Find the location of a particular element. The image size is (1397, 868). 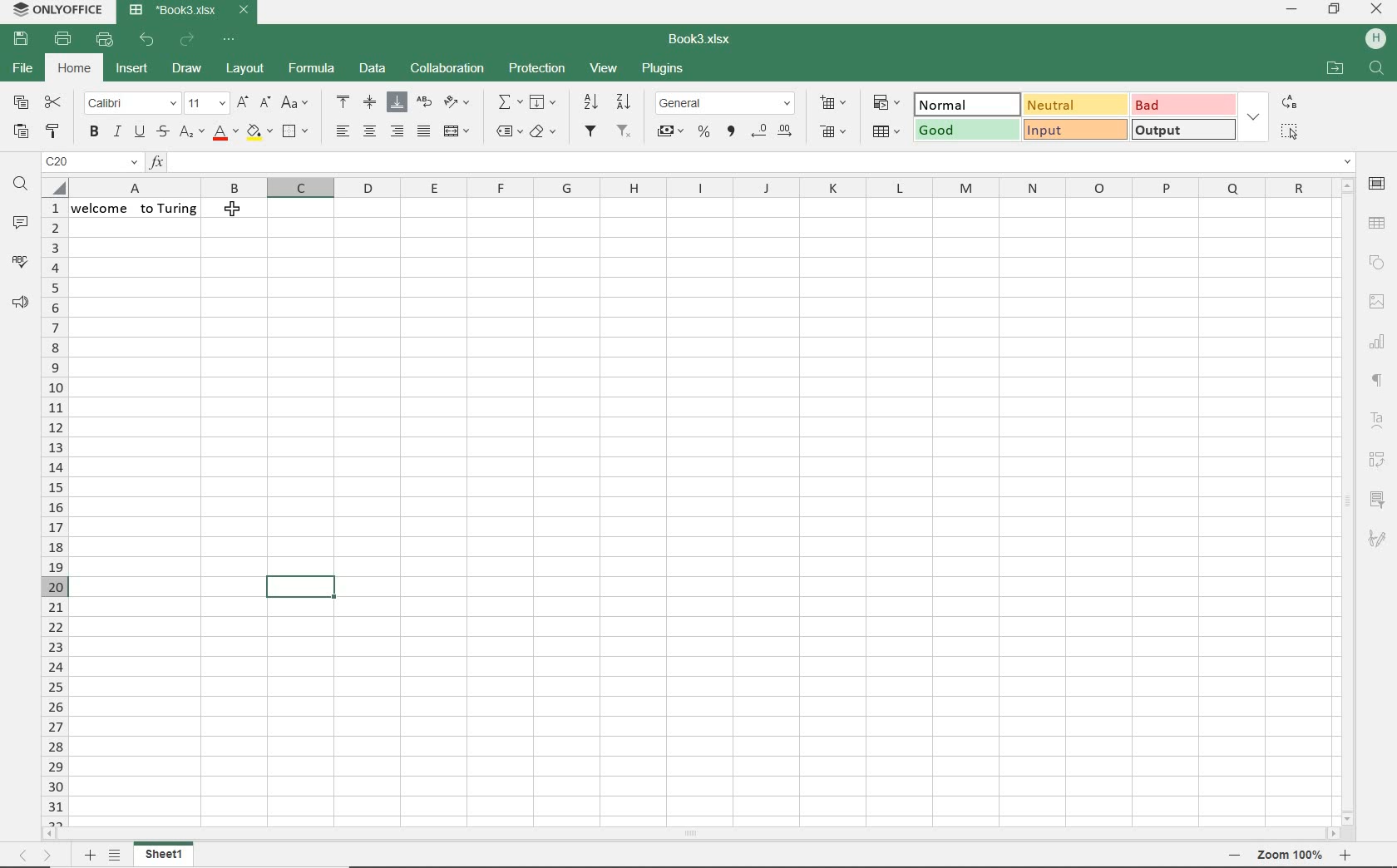

signature is located at coordinates (1380, 537).